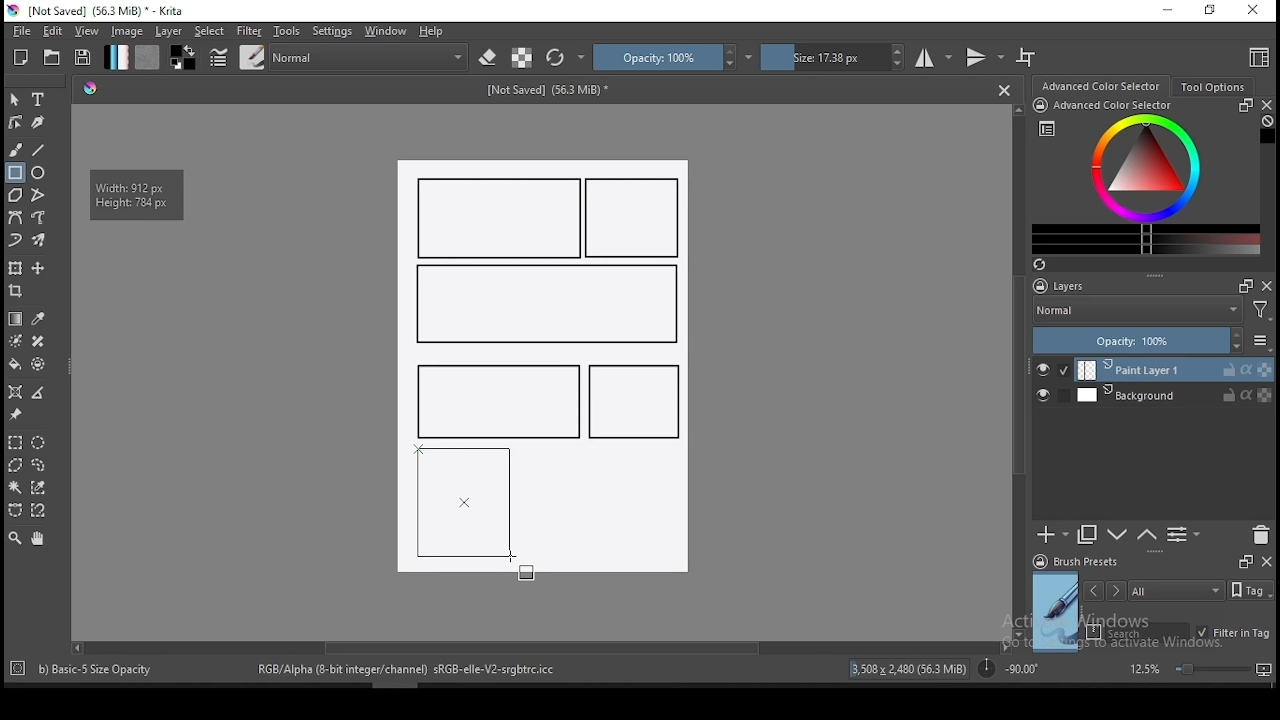 The height and width of the screenshot is (720, 1280). What do you see at coordinates (490, 58) in the screenshot?
I see `set eraser mode` at bounding box center [490, 58].